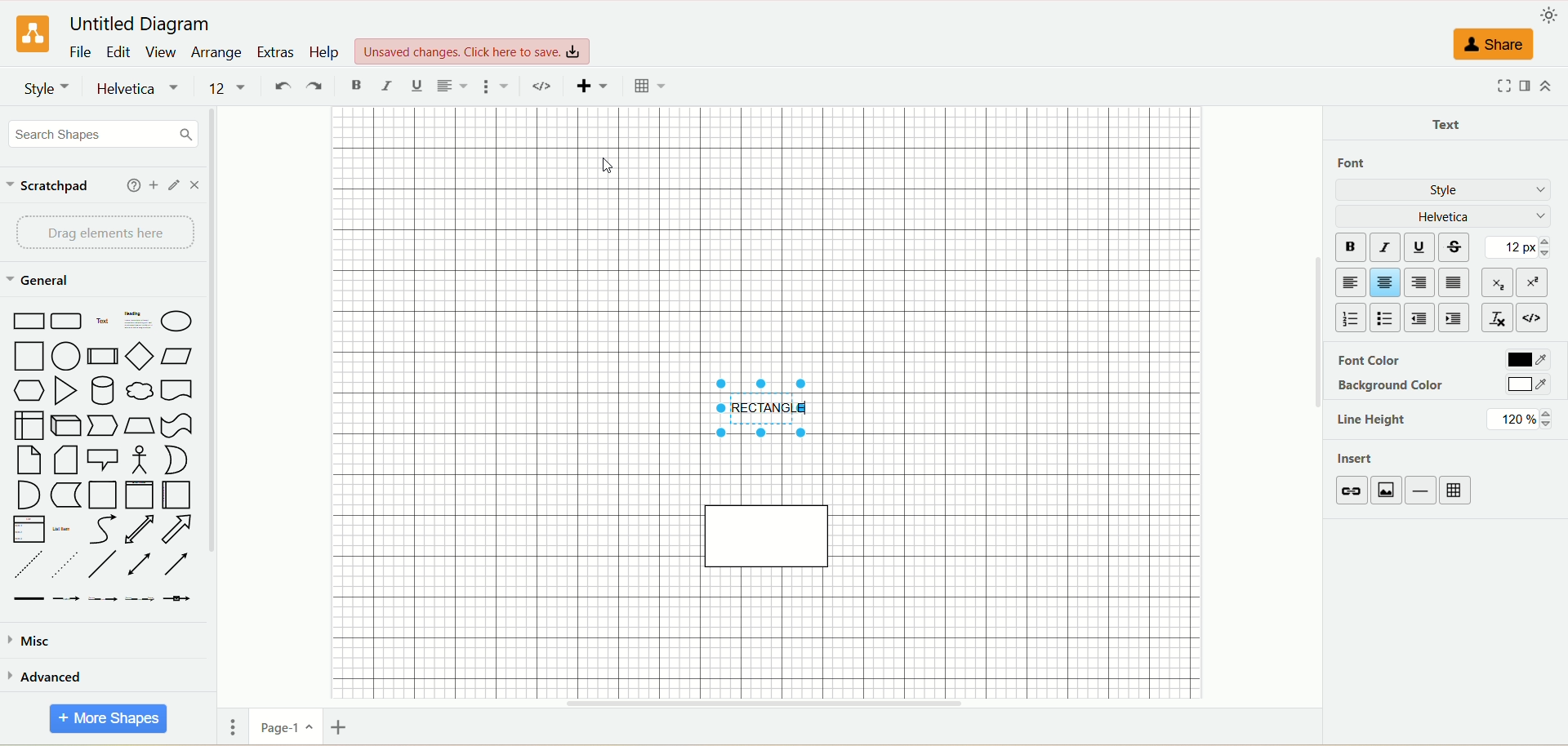  What do you see at coordinates (24, 565) in the screenshot?
I see `dashed line` at bounding box center [24, 565].